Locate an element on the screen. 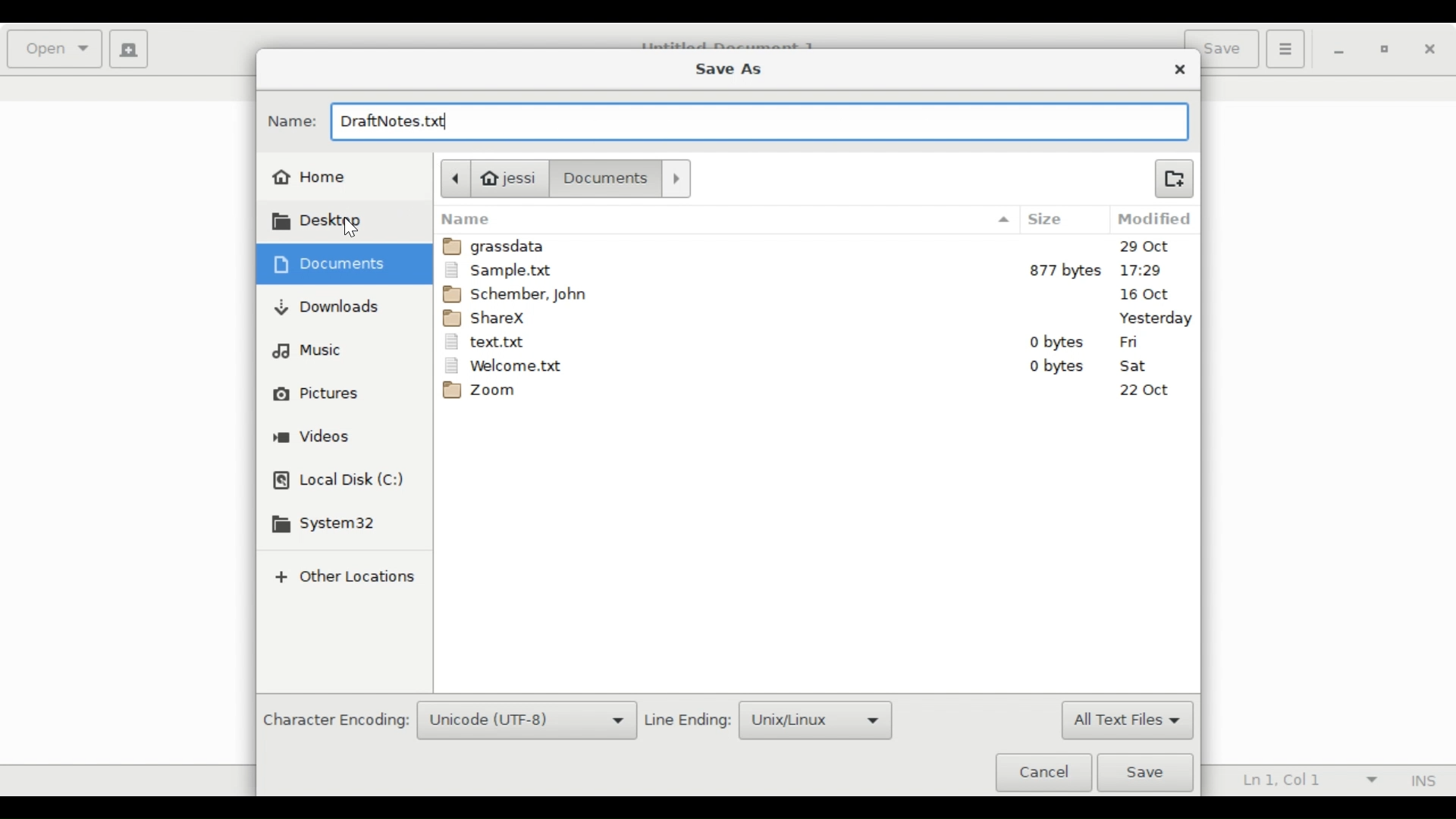 The height and width of the screenshot is (819, 1456). Local Disk (C) is located at coordinates (340, 482).